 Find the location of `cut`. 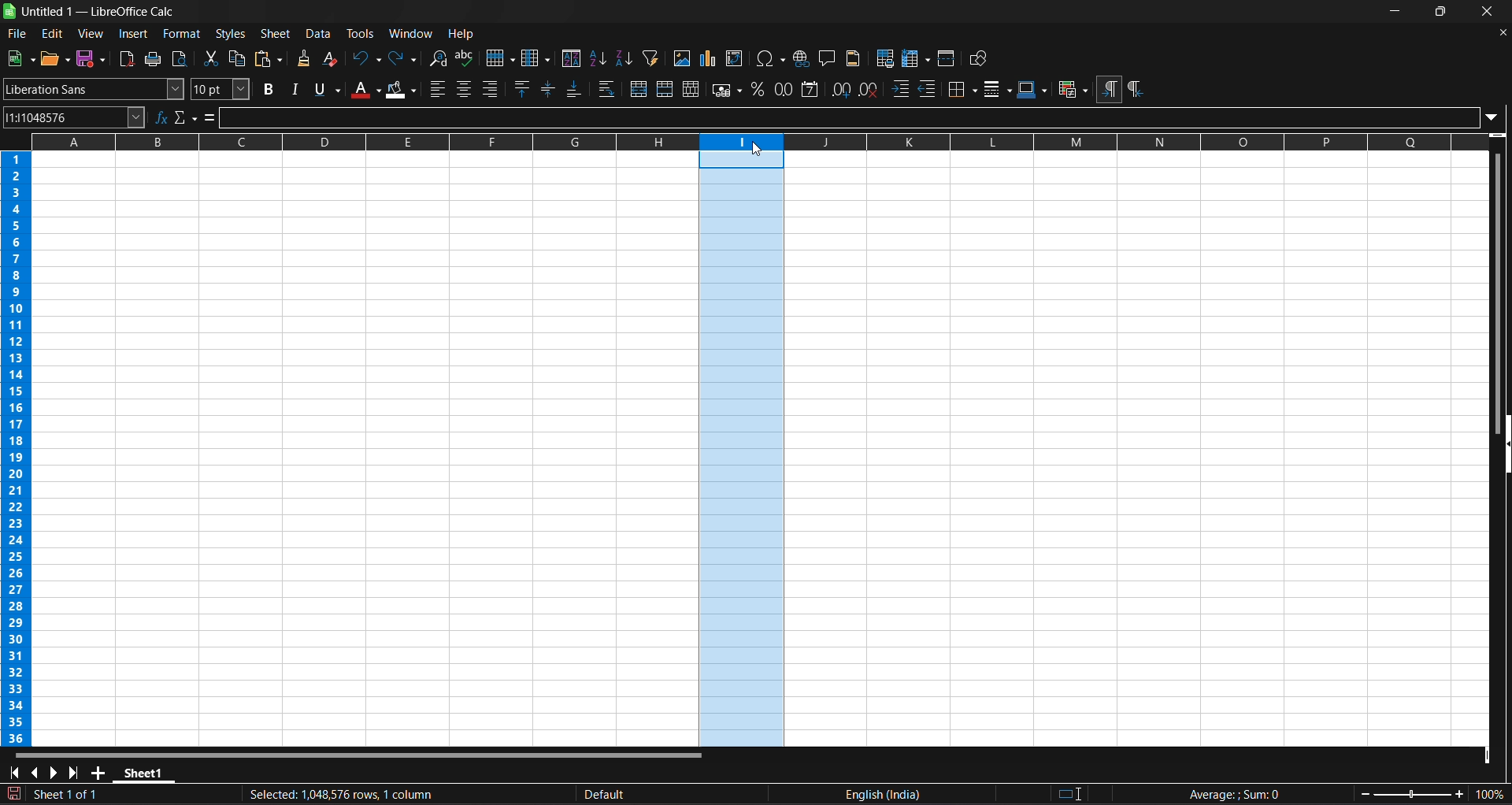

cut is located at coordinates (210, 57).